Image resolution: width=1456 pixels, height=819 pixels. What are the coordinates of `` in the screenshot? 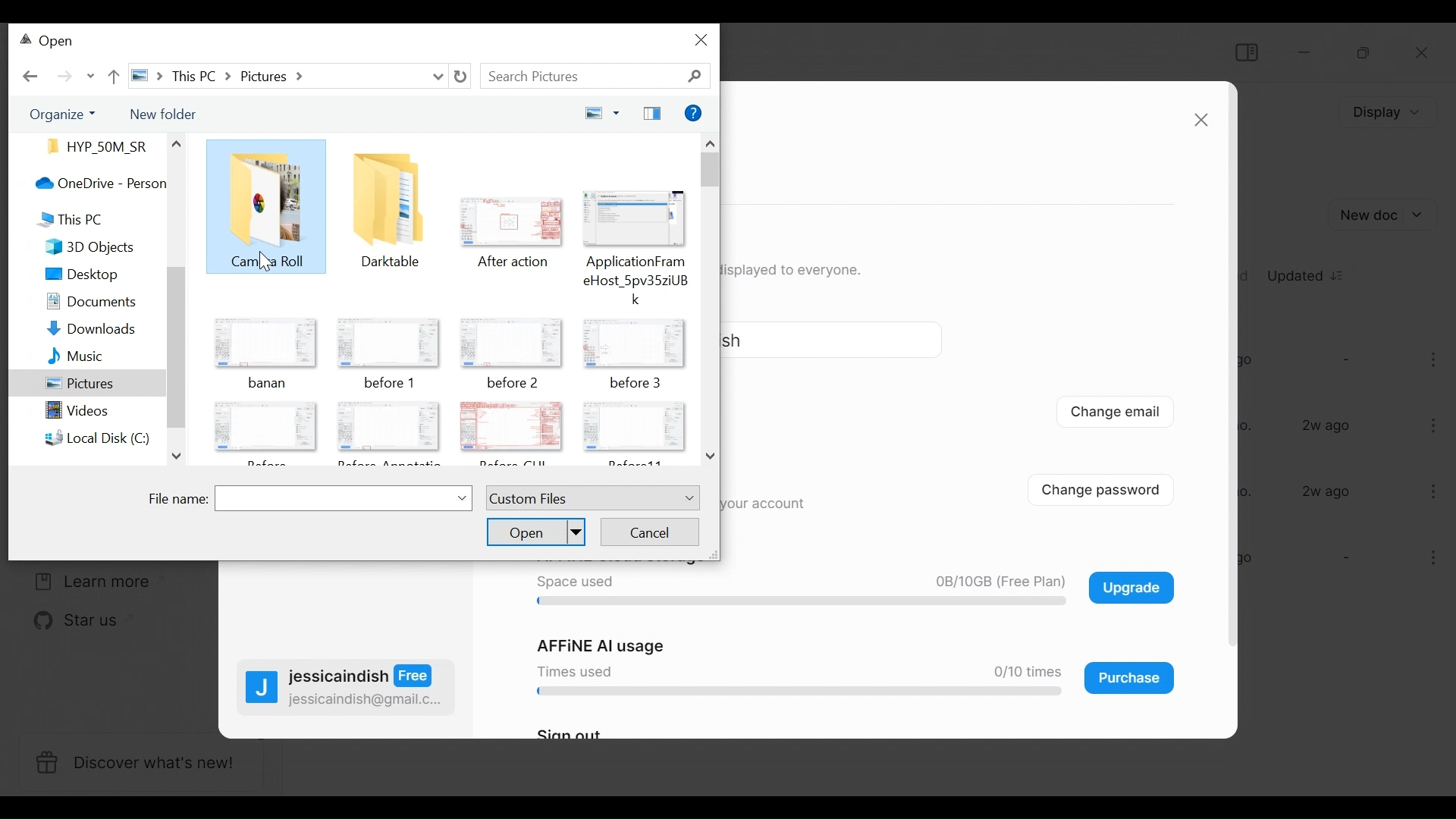 It's located at (174, 143).